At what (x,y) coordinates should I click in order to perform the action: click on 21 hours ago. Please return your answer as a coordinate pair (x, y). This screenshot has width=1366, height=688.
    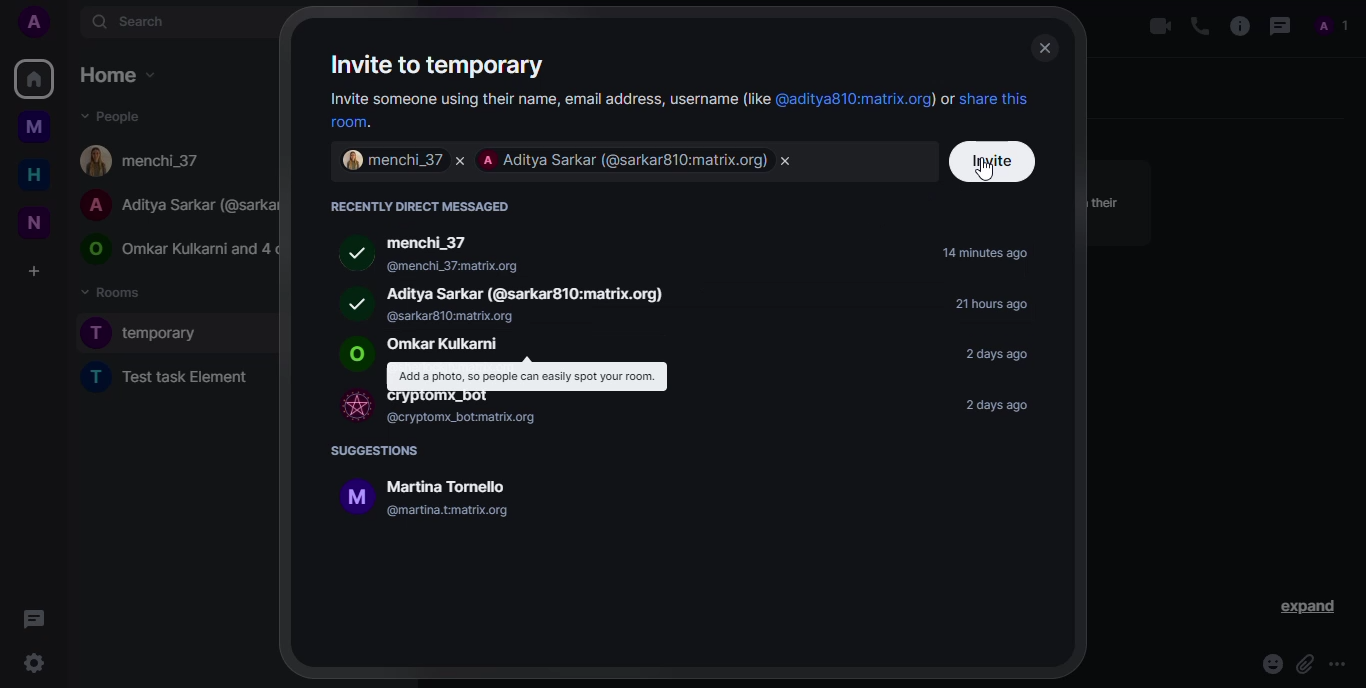
    Looking at the image, I should click on (984, 305).